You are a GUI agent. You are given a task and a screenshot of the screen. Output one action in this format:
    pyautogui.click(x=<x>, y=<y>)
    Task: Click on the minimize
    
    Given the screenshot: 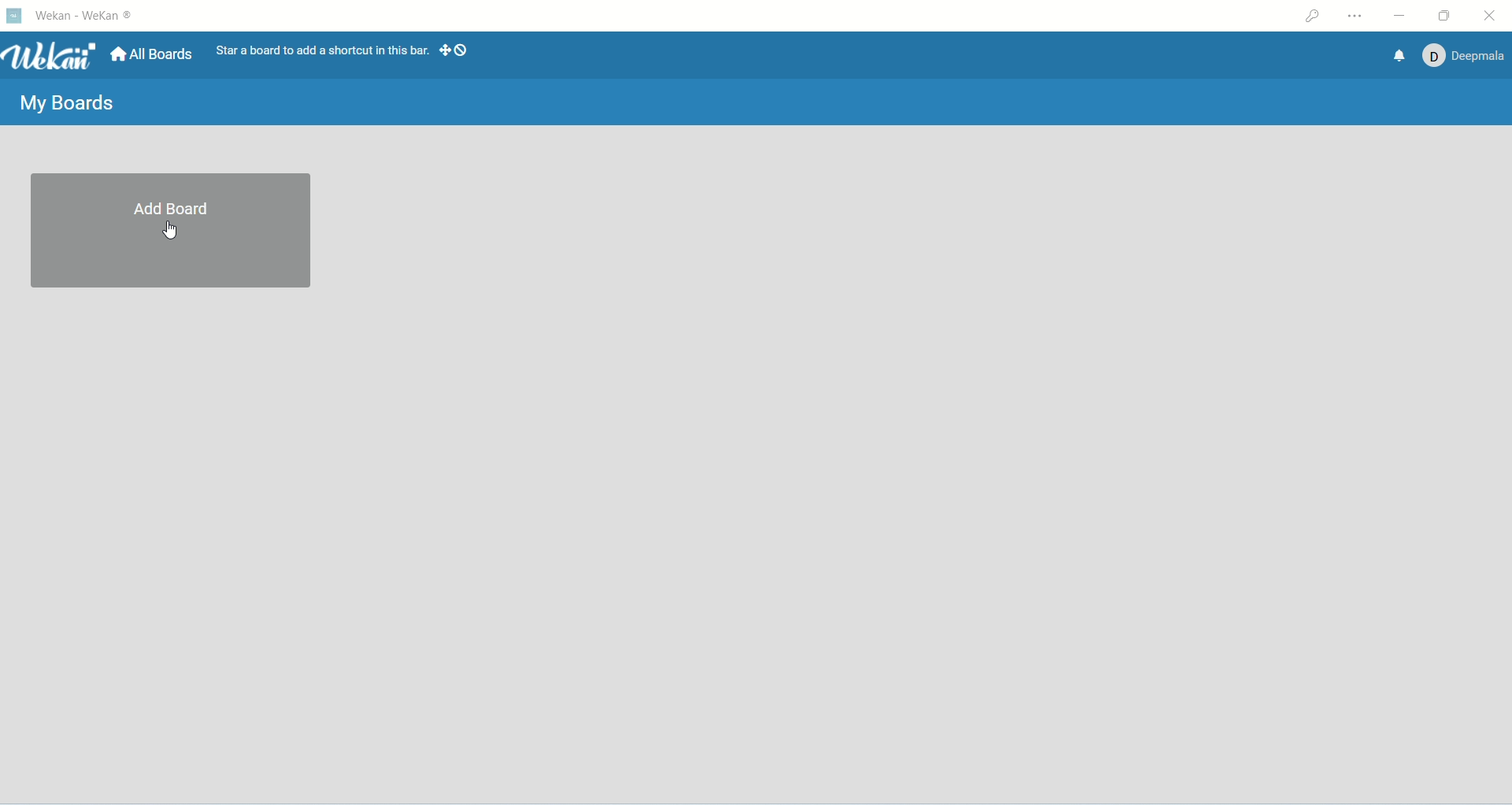 What is the action you would take?
    pyautogui.click(x=1404, y=14)
    